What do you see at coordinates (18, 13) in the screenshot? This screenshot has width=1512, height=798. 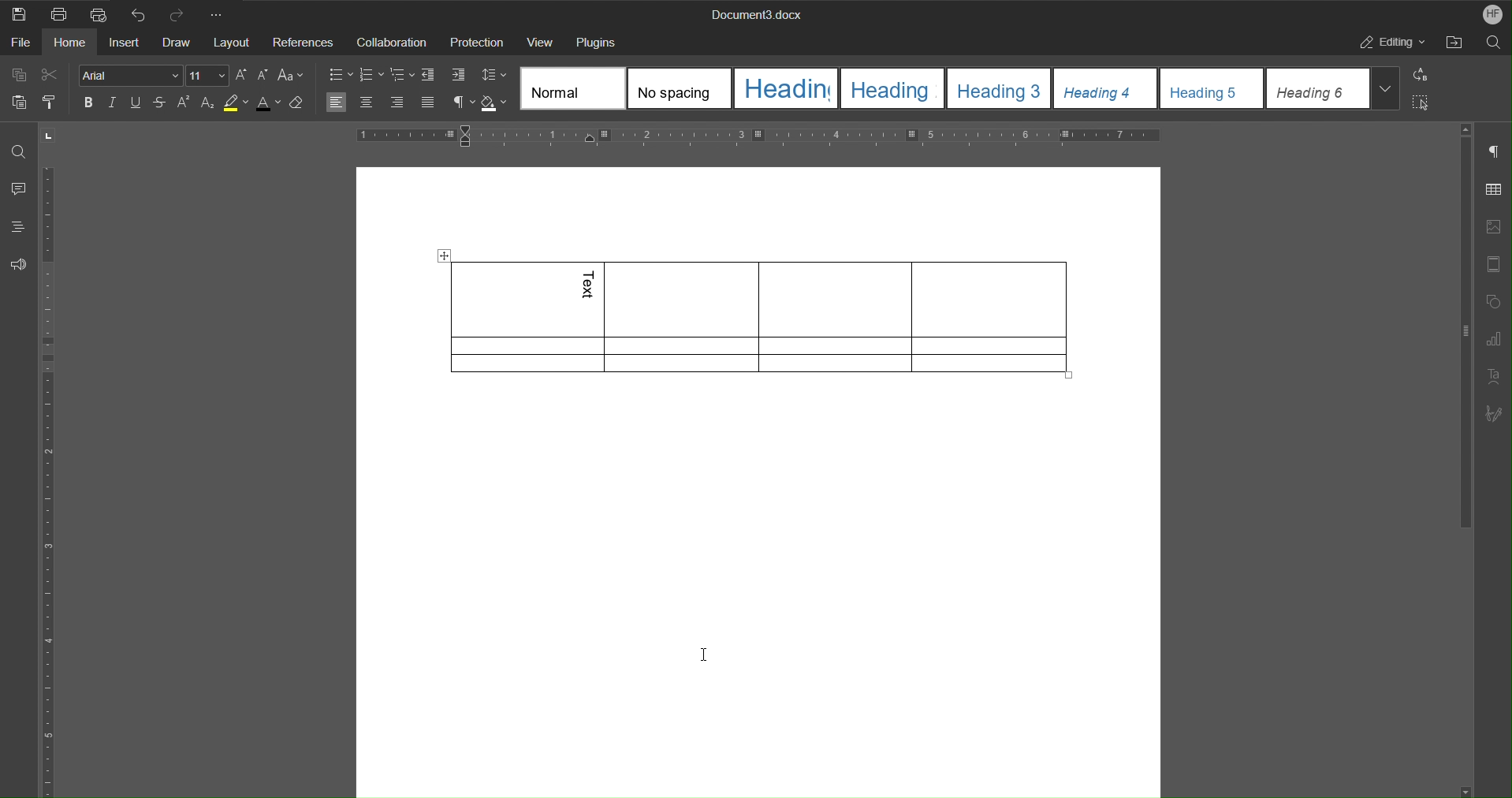 I see `Save` at bounding box center [18, 13].